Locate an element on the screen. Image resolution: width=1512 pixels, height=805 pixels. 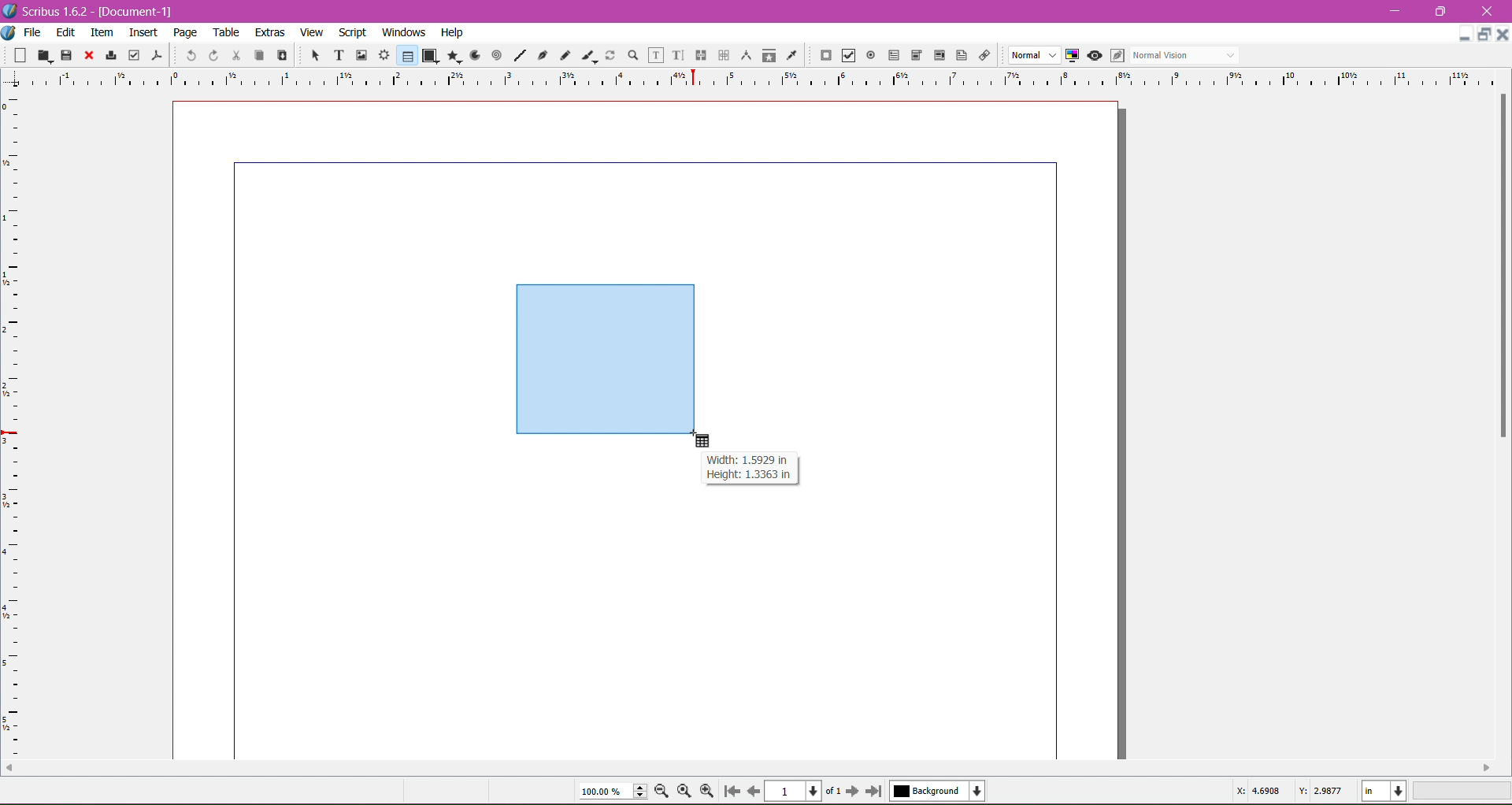
View is located at coordinates (312, 32).